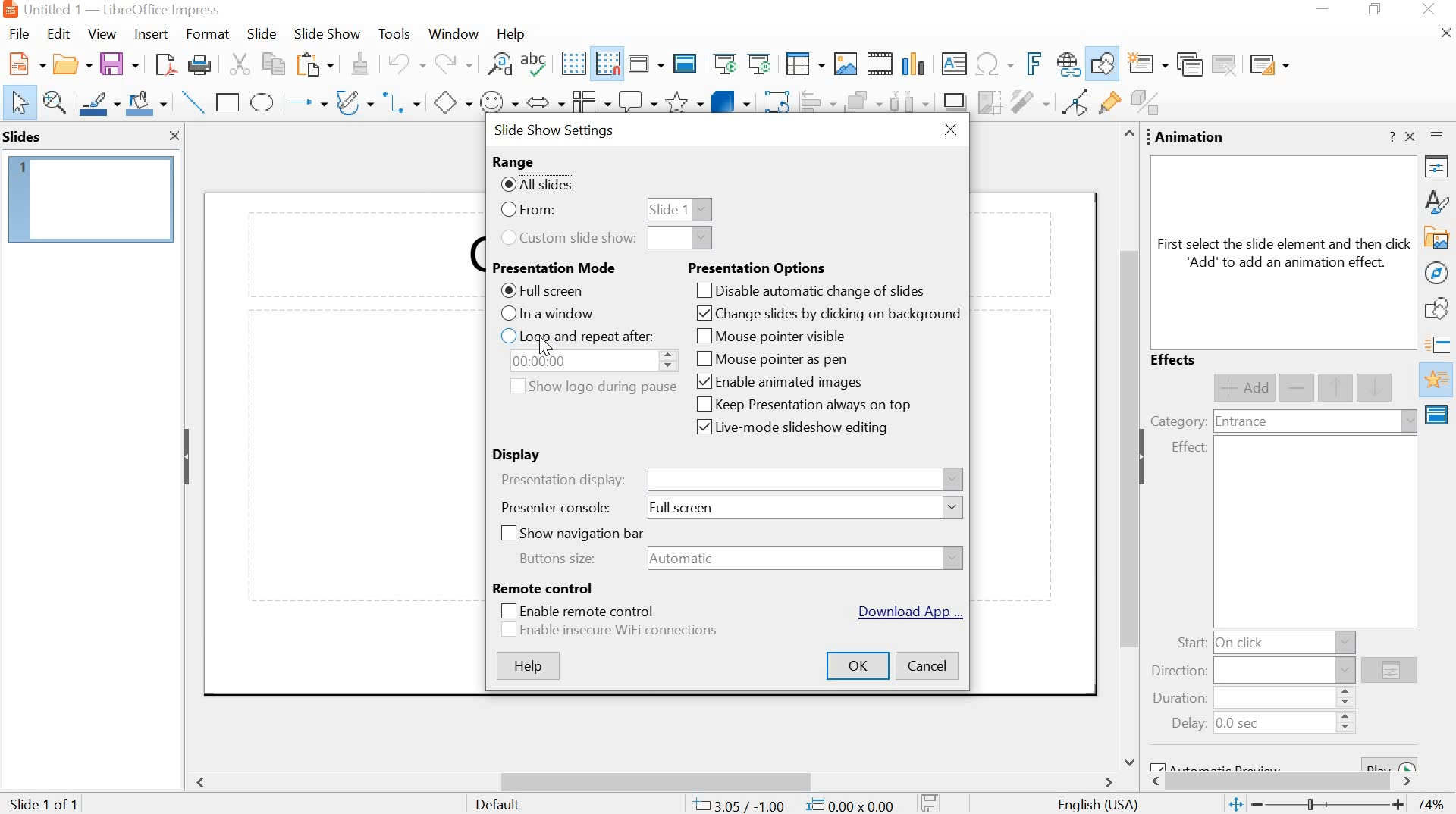 Image resolution: width=1456 pixels, height=814 pixels. I want to click on flowchart, so click(588, 102).